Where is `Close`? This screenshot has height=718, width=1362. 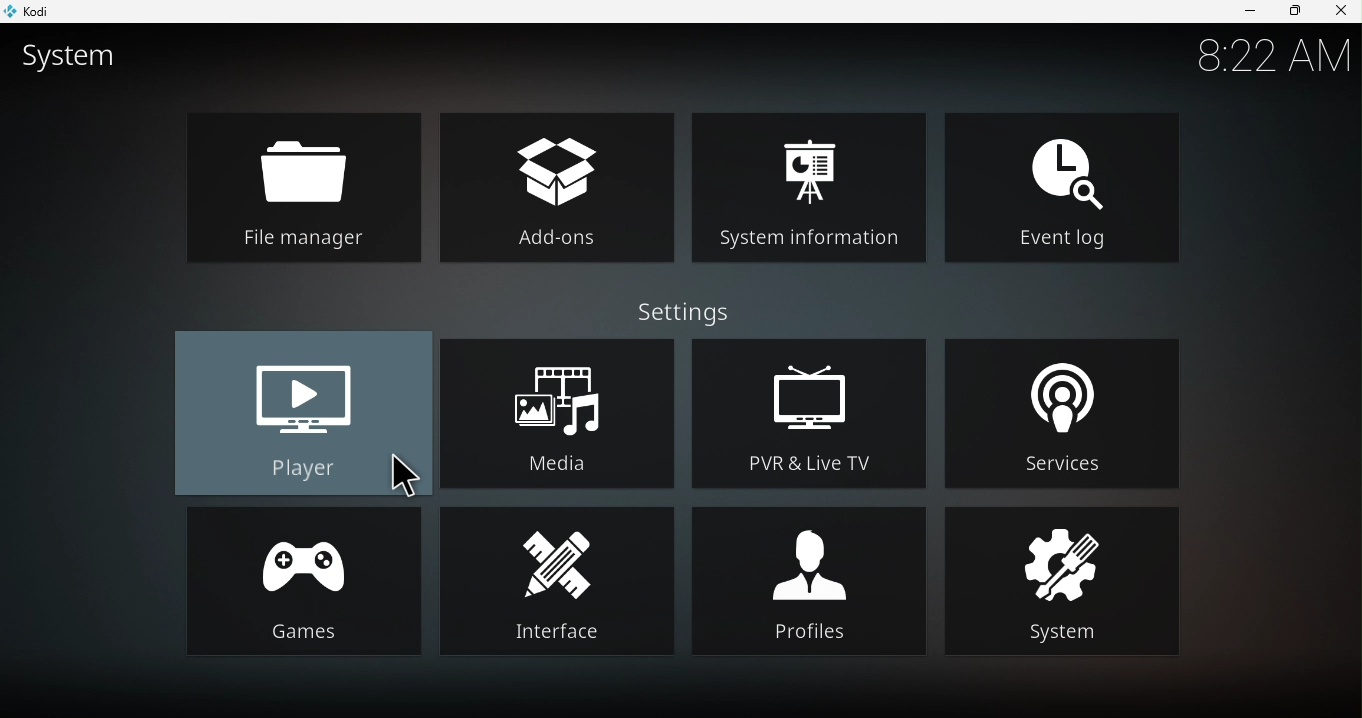 Close is located at coordinates (1338, 12).